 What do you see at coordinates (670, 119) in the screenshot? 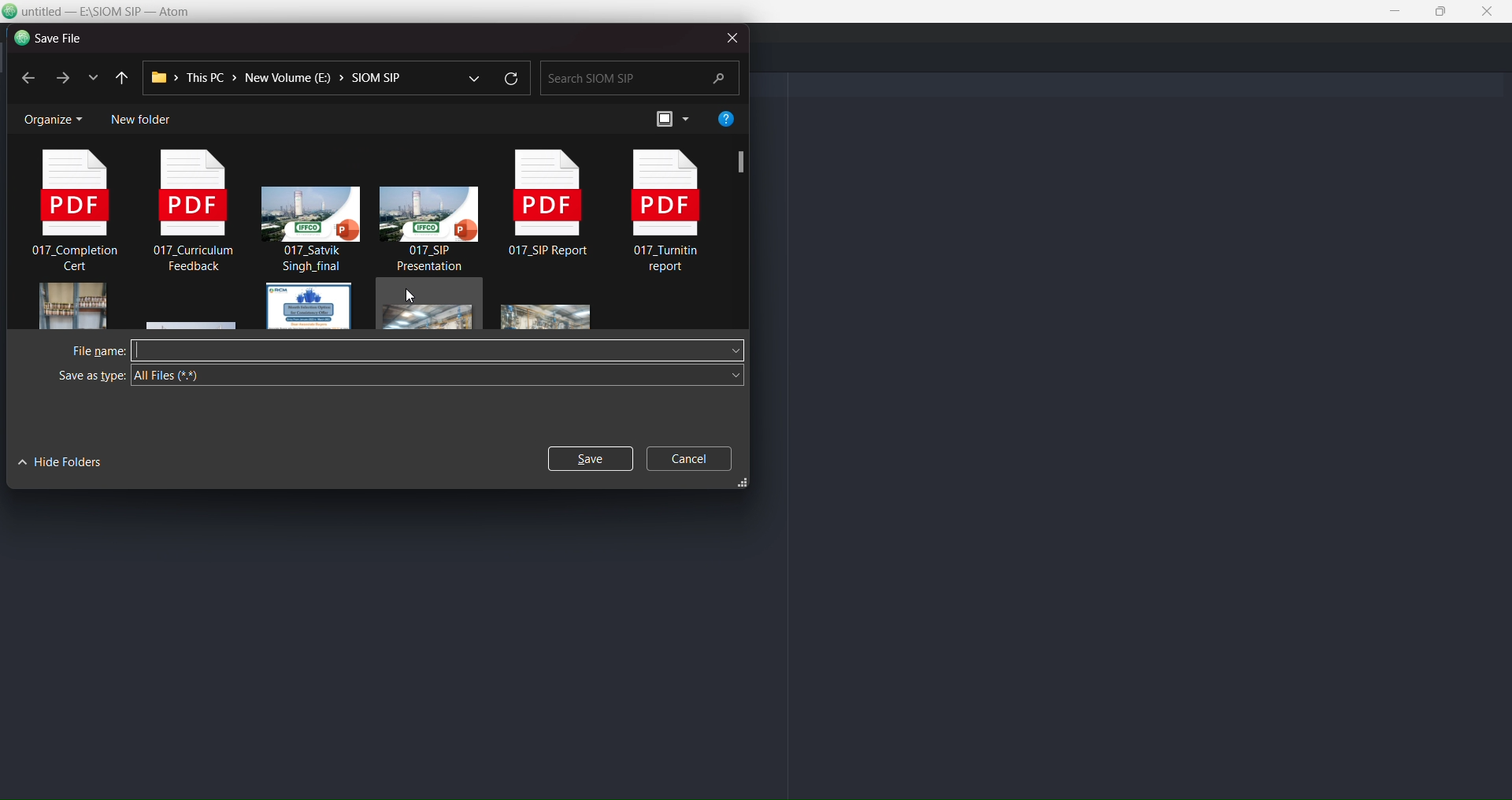
I see `preview` at bounding box center [670, 119].